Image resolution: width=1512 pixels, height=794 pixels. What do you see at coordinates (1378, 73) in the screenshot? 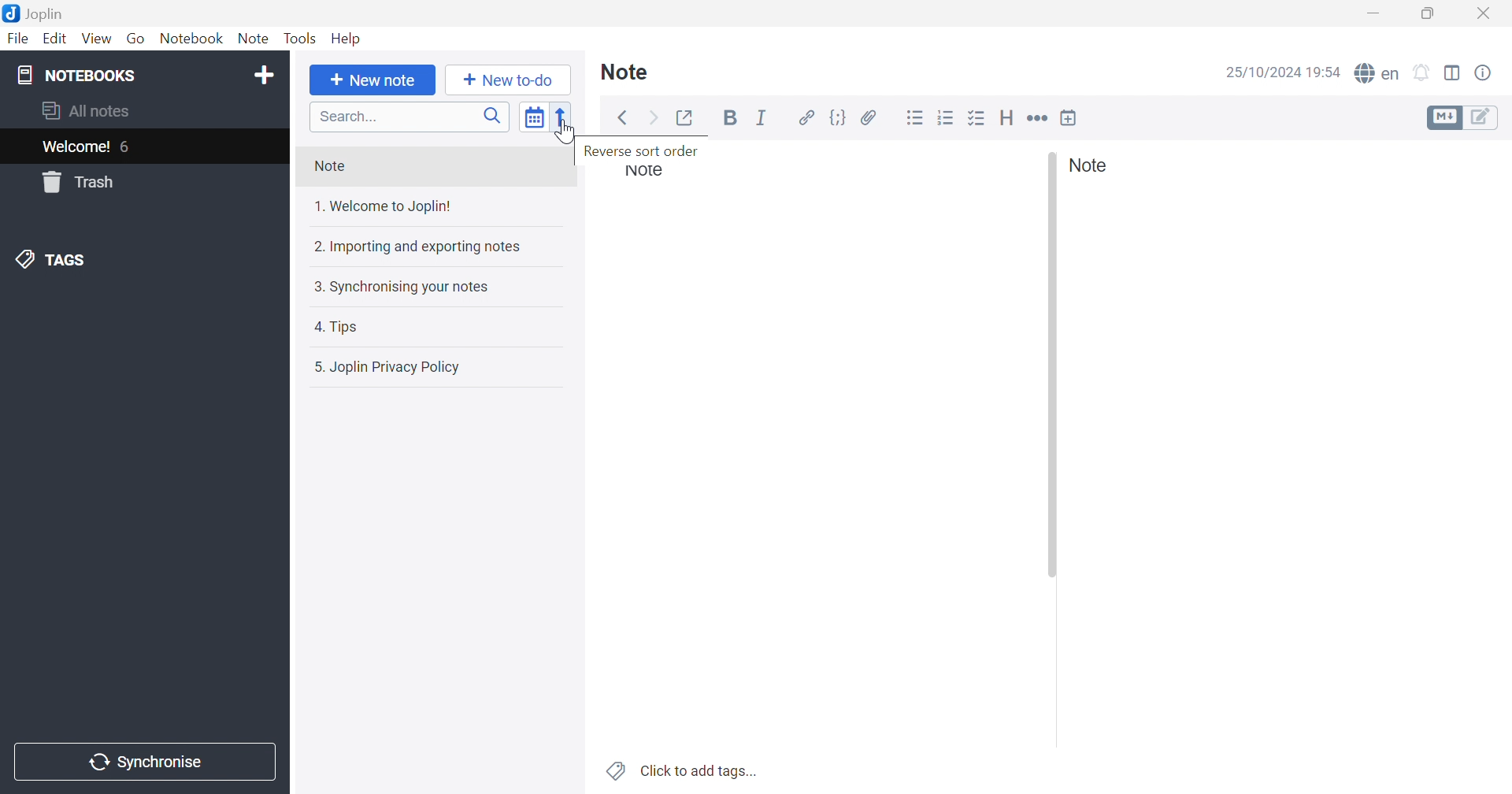
I see `Spell check` at bounding box center [1378, 73].